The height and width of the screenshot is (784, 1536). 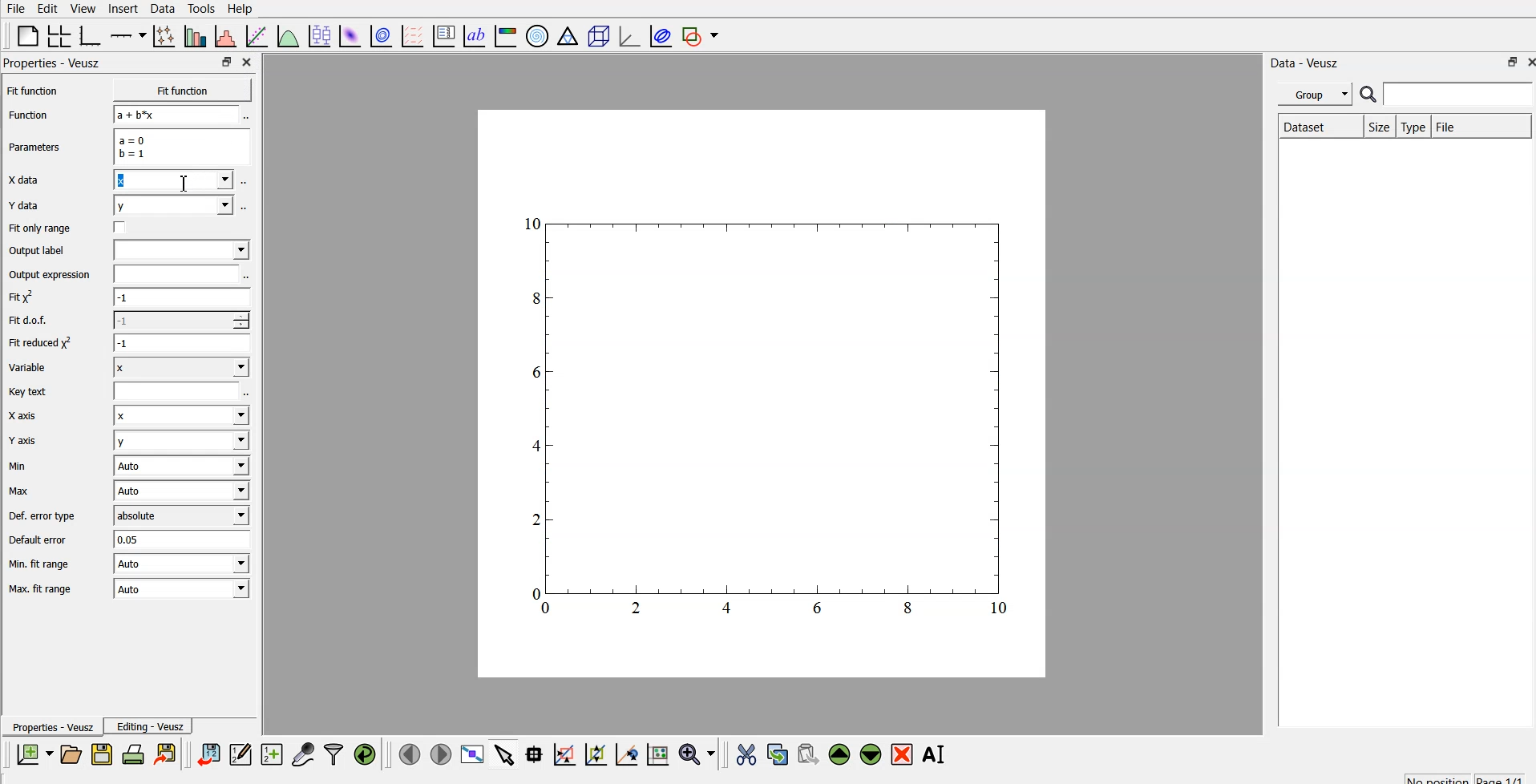 What do you see at coordinates (50, 250) in the screenshot?
I see `Output label` at bounding box center [50, 250].